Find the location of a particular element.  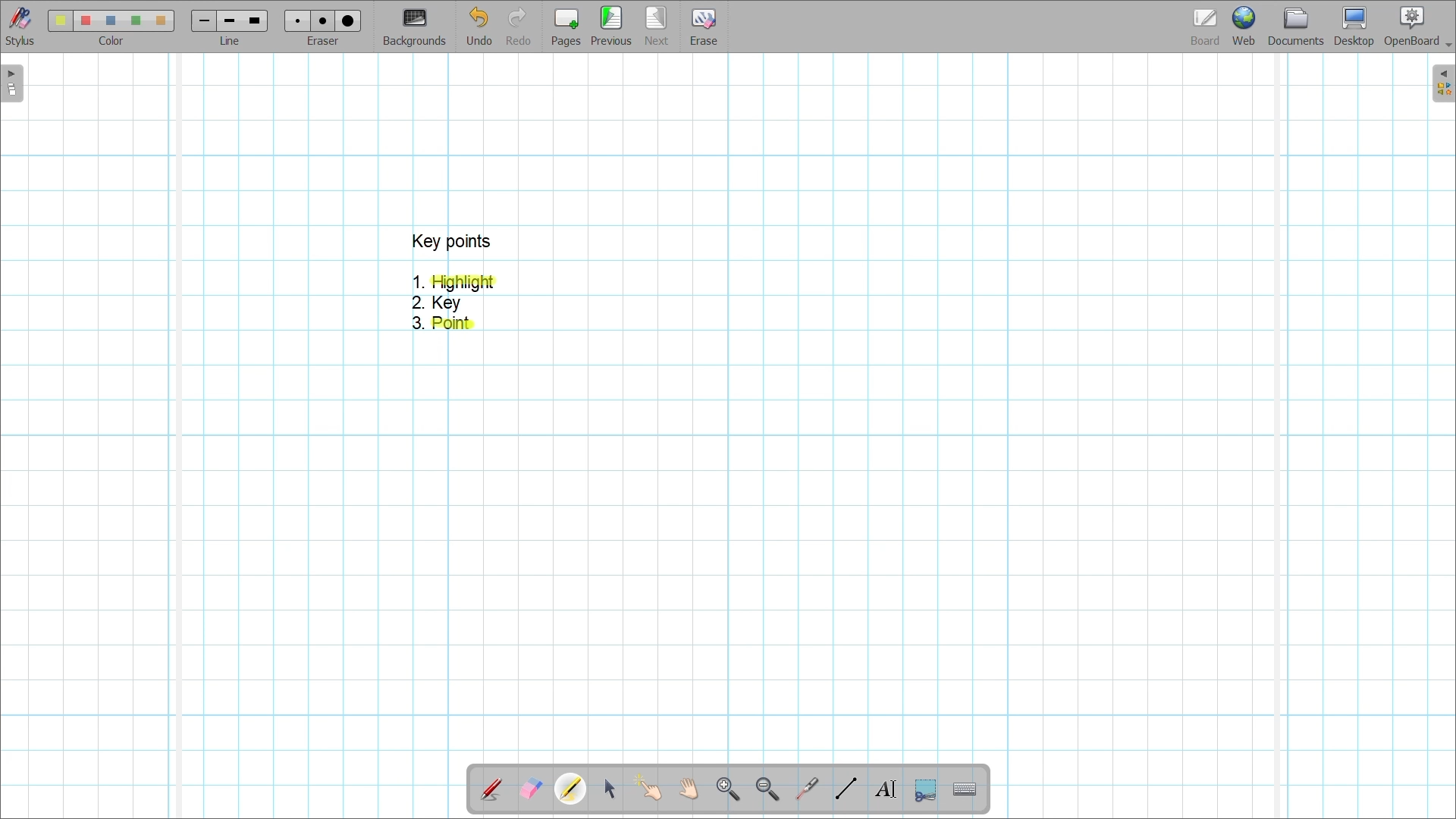

line 3 is located at coordinates (253, 20).